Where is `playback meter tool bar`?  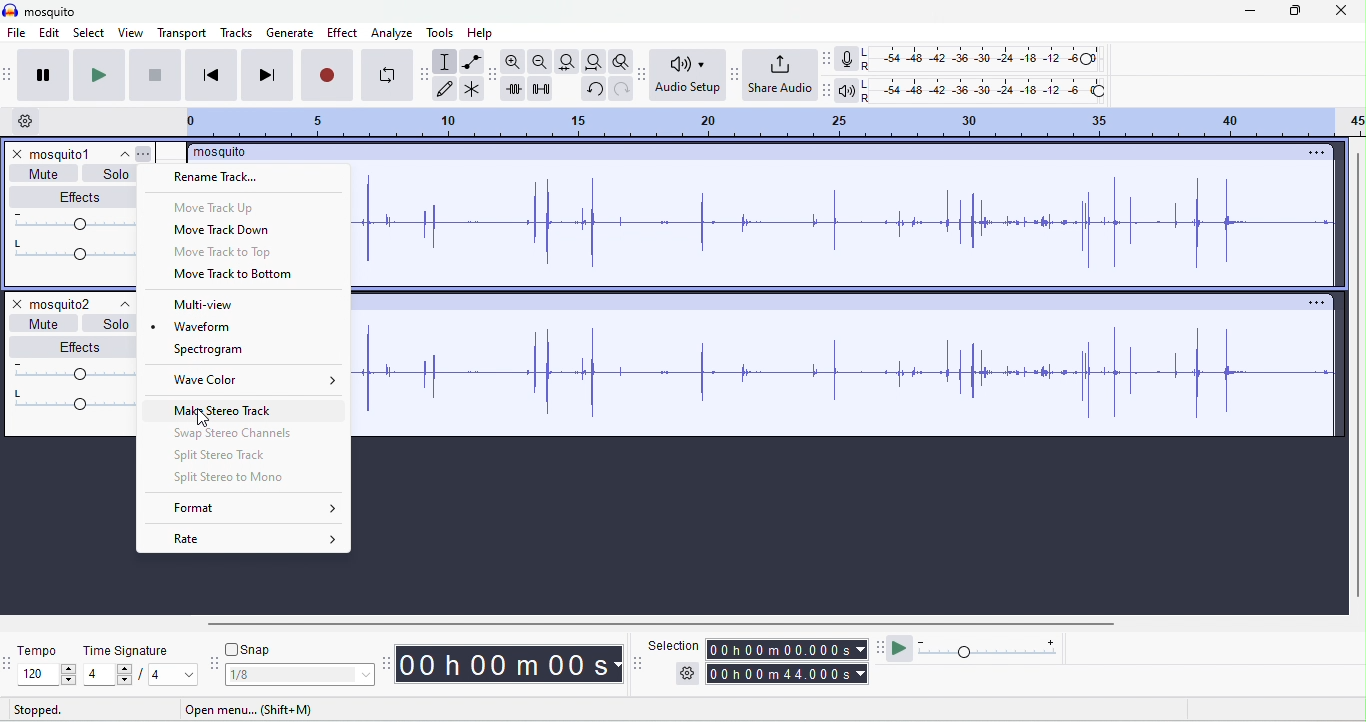
playback meter tool bar is located at coordinates (826, 89).